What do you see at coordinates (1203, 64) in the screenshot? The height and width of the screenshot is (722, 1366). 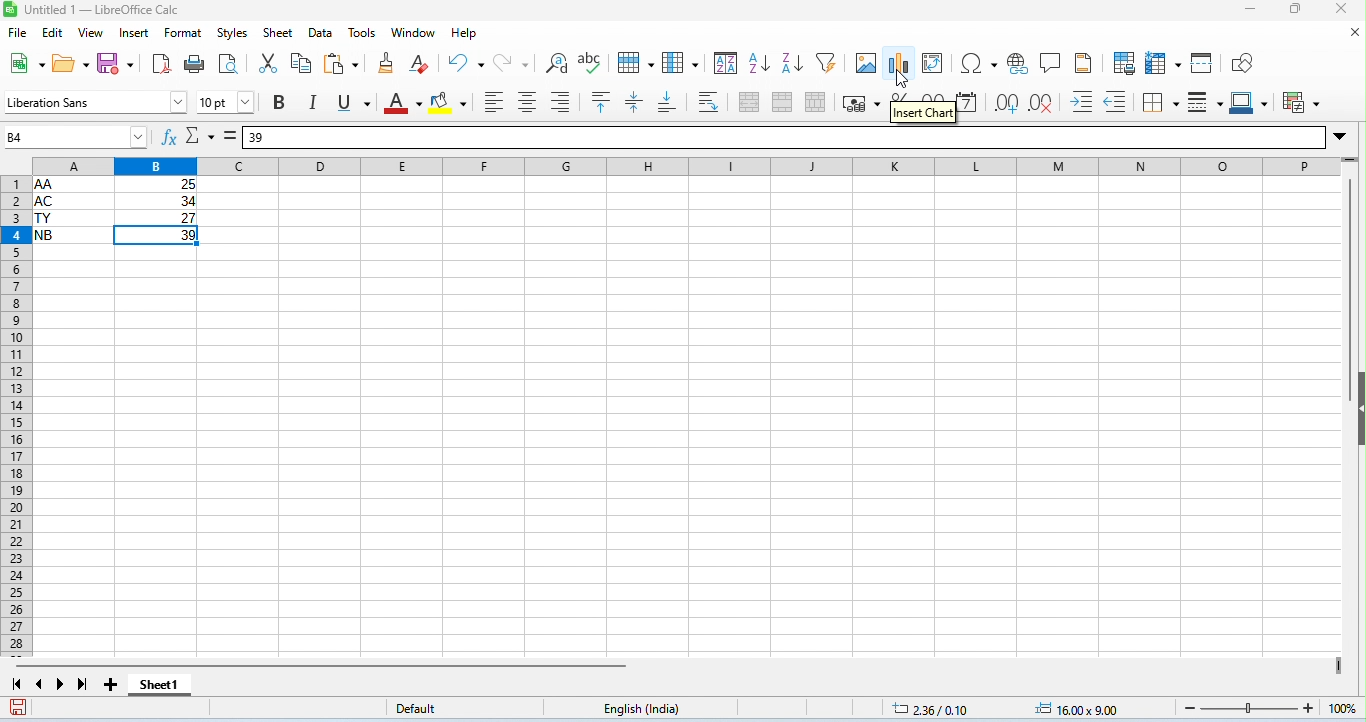 I see `split window` at bounding box center [1203, 64].